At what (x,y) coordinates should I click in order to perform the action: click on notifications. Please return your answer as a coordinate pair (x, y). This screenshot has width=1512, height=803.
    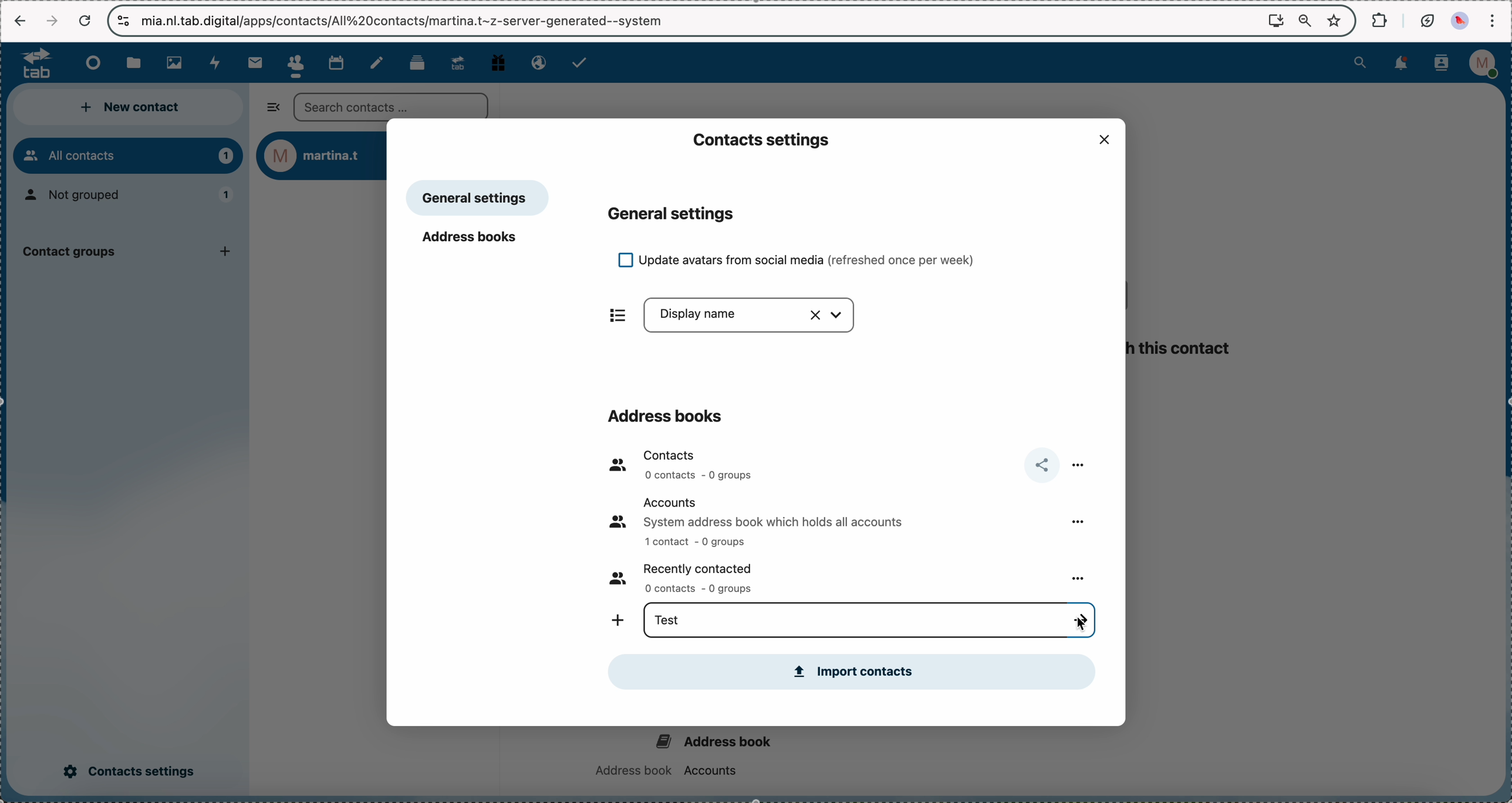
    Looking at the image, I should click on (1404, 63).